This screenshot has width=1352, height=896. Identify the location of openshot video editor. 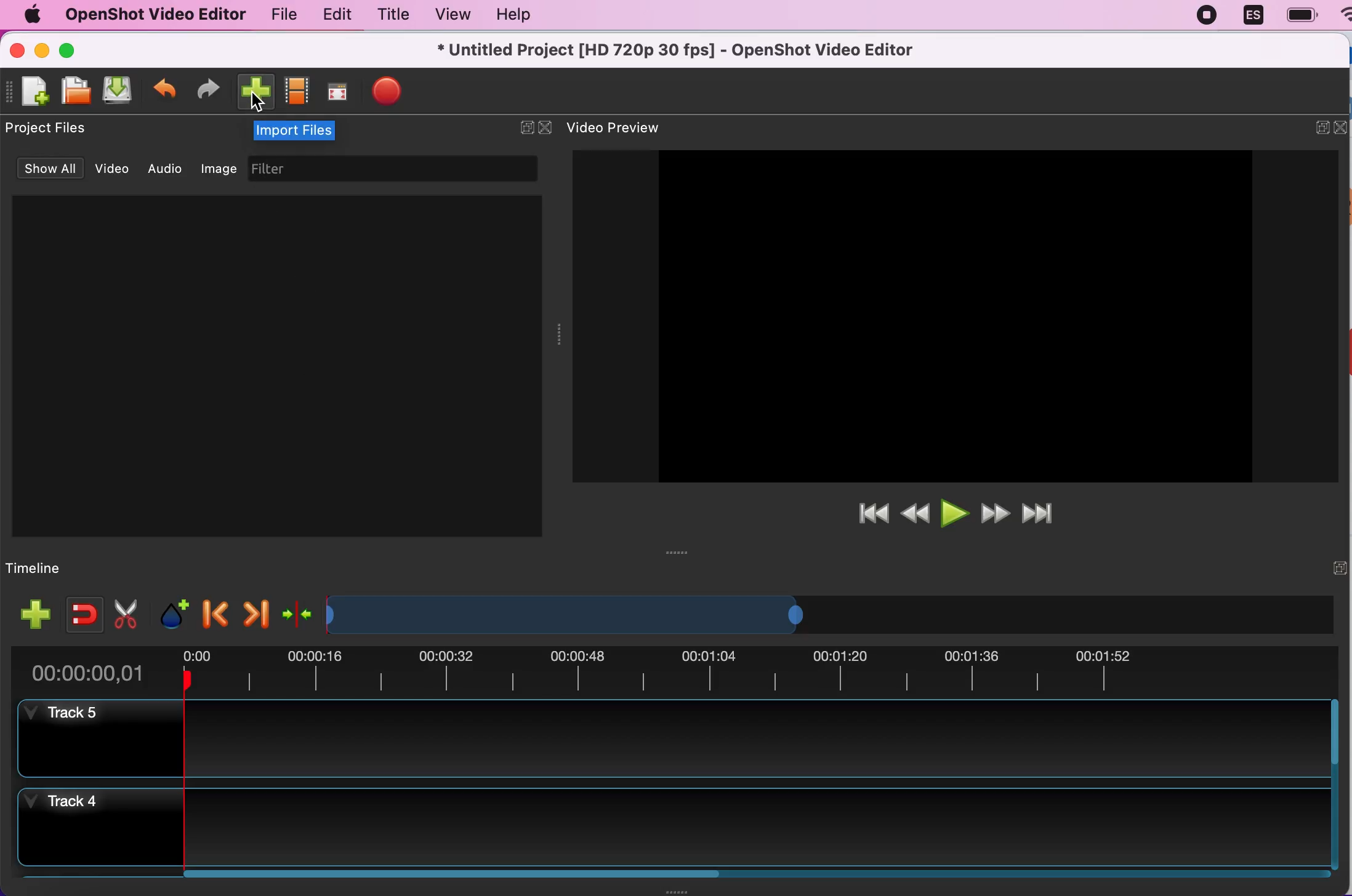
(151, 15).